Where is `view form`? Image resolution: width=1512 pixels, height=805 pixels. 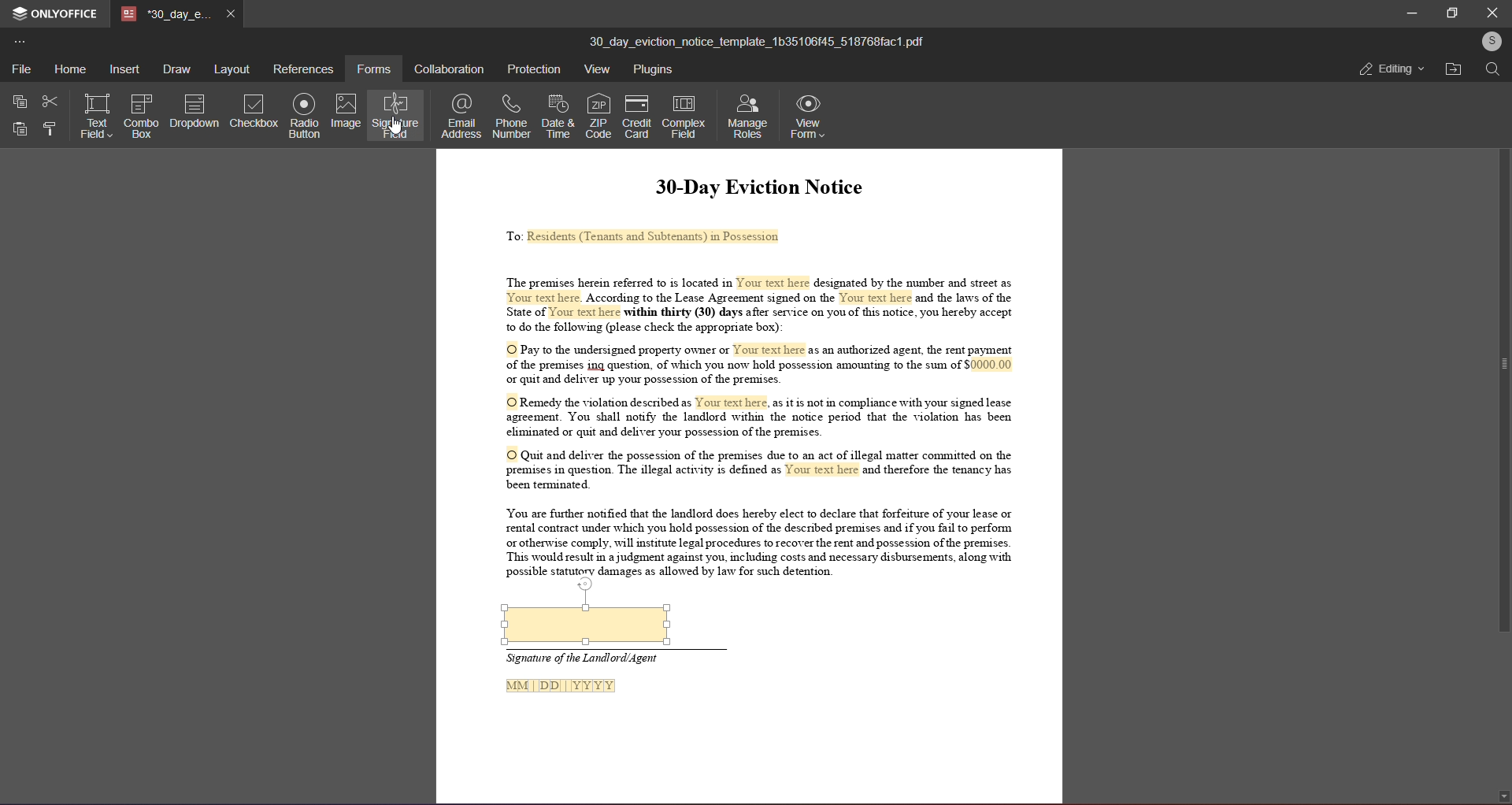 view form is located at coordinates (808, 117).